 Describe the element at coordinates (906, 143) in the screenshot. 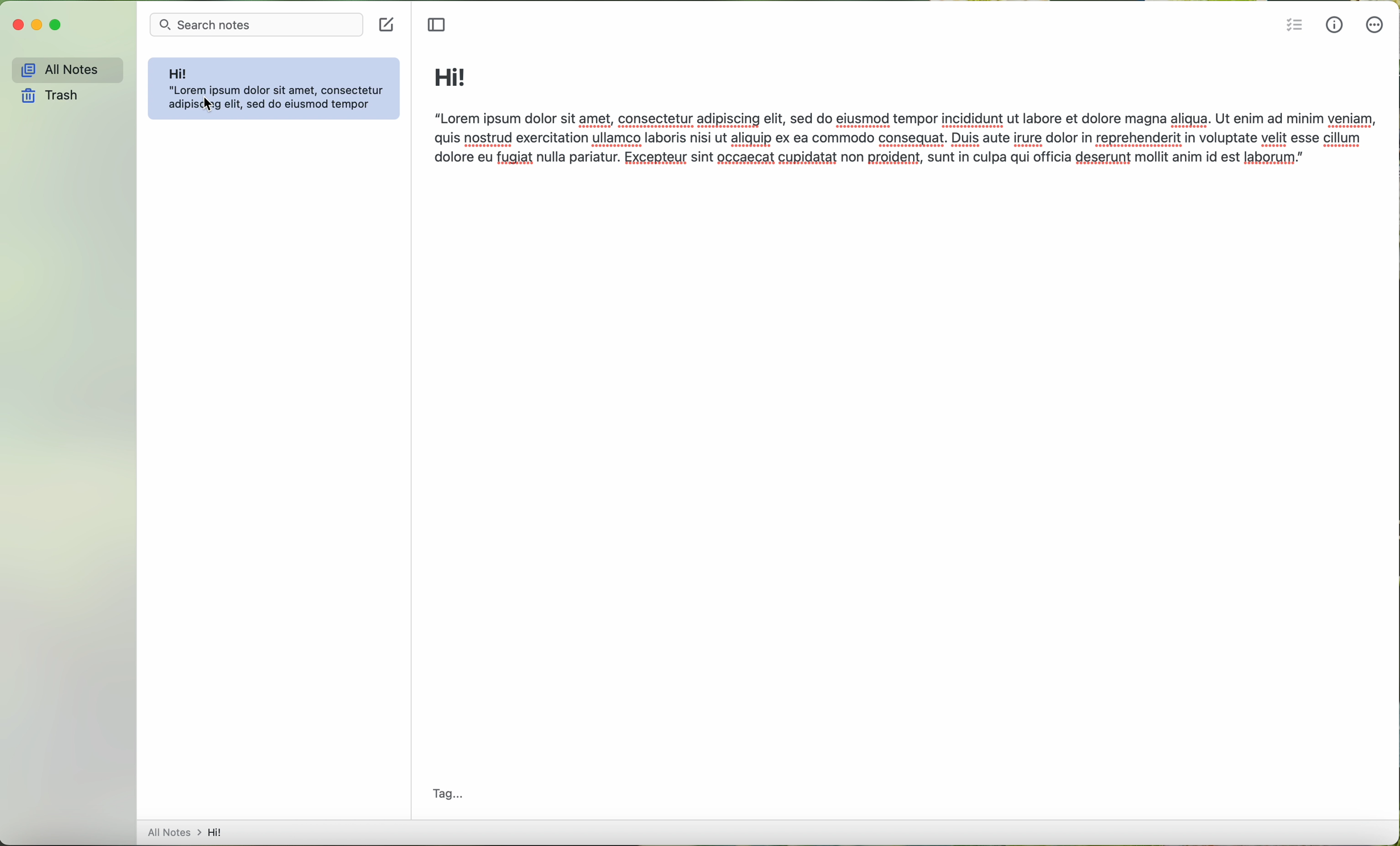

I see `body text: "Lorem ipsum dolor sit amet, consectetur adipiscing elit, sed do eiusmod tempor incididunt ut labore et dolore magna aliqua. Ut enim ad minim veniam, quis nostrud exercitation ullamco laboris nisi ut aliquip ex ea commodo consequat. Duis aute irure dolor in reprehenderit in voluptate velit esse cillum dolore eu fugiat nulla pariatur. Excepteur sint occaecat cupidatat non proident, sunt in culpa qui officia deserunt mollit anim id est laborum."` at that location.